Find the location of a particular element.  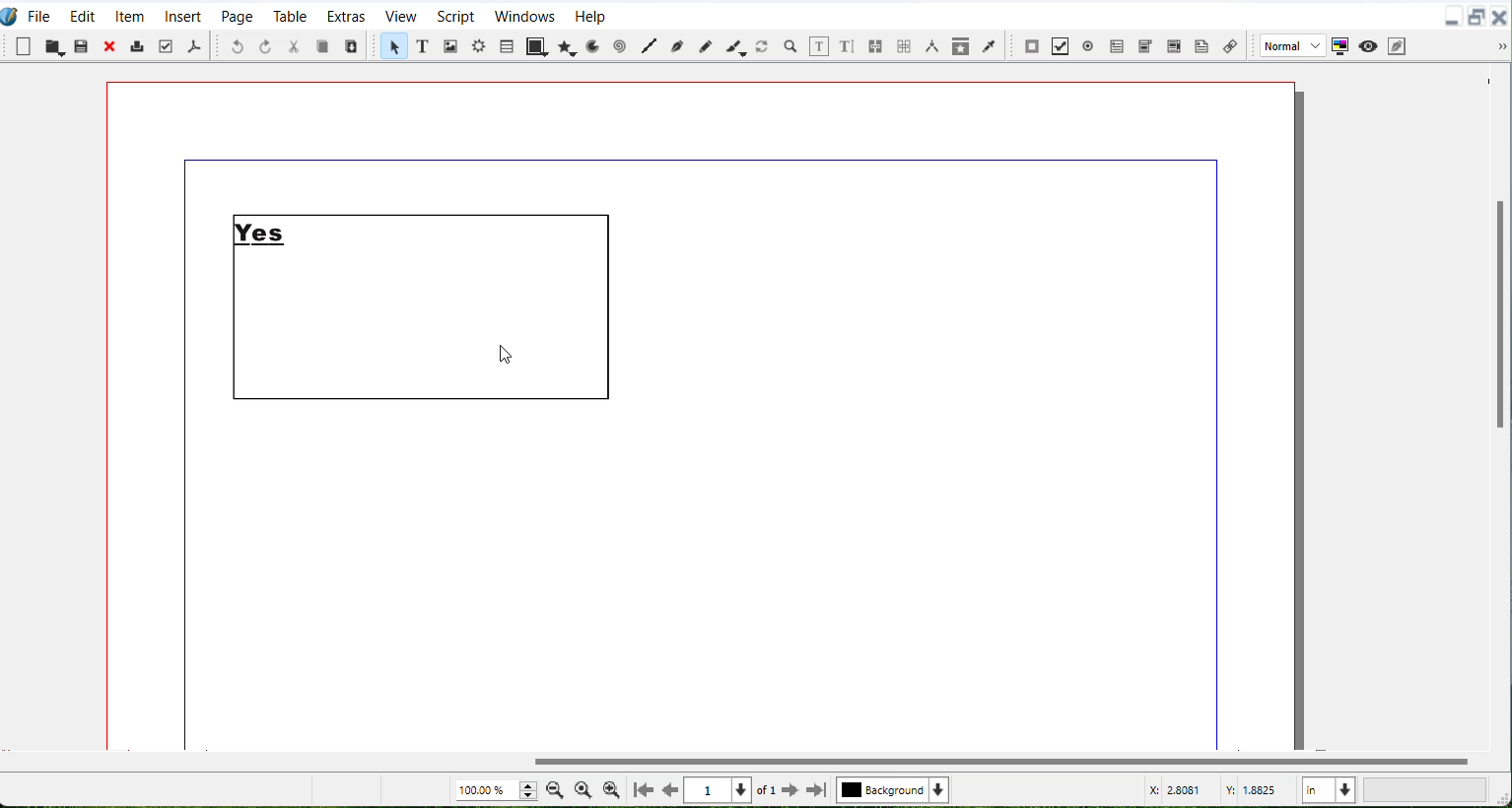

Spiral is located at coordinates (620, 46).